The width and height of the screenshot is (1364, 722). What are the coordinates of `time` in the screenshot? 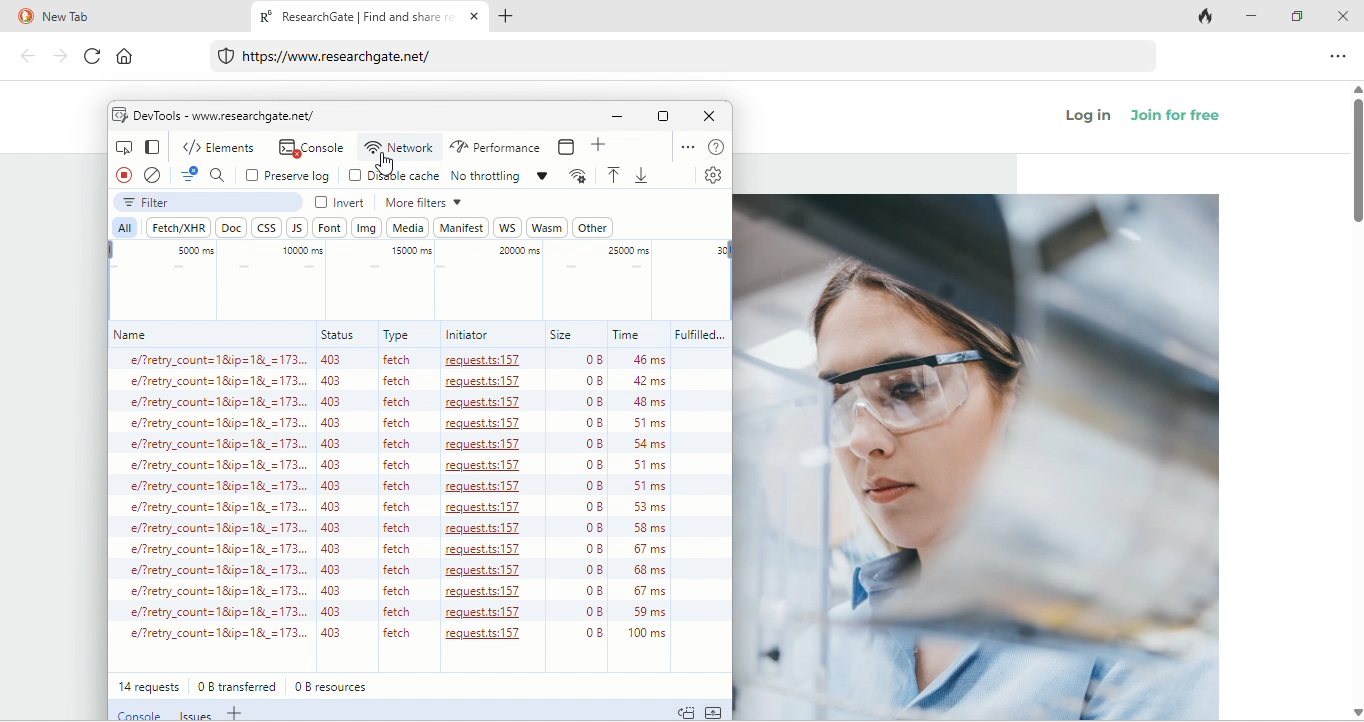 It's located at (628, 335).